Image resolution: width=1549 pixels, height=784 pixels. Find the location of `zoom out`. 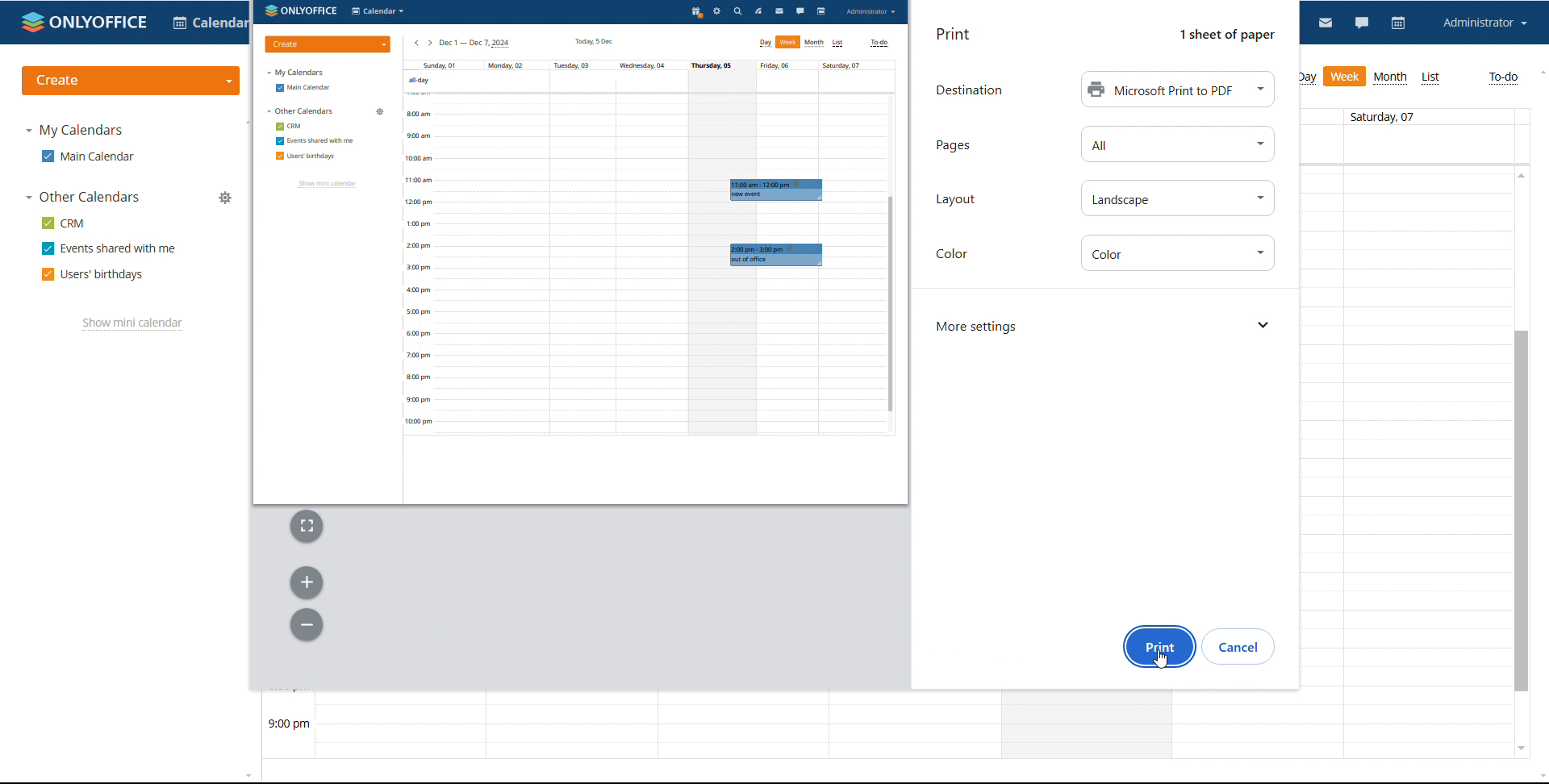

zoom out is located at coordinates (307, 626).